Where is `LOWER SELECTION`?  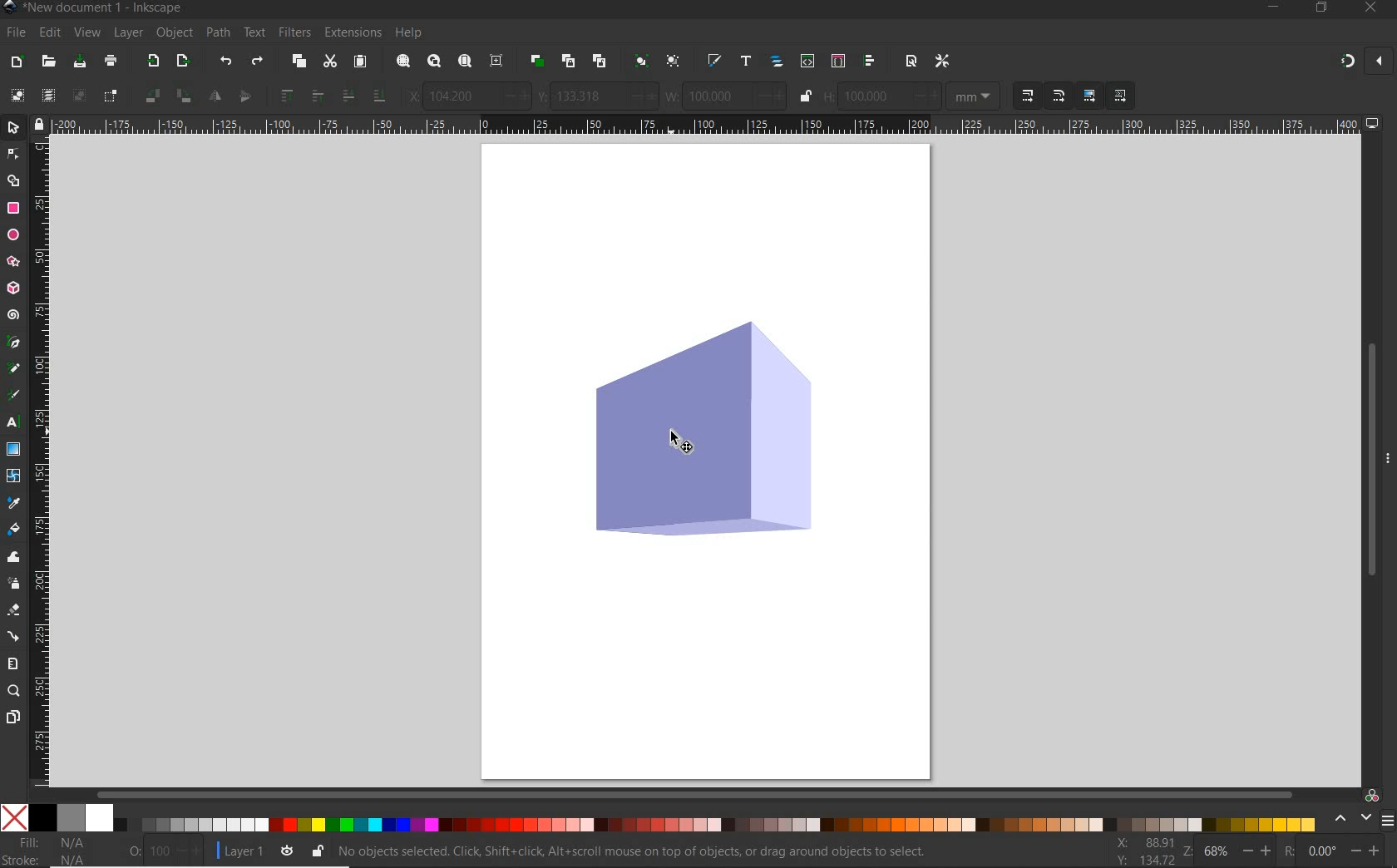
LOWER SELECTION is located at coordinates (378, 97).